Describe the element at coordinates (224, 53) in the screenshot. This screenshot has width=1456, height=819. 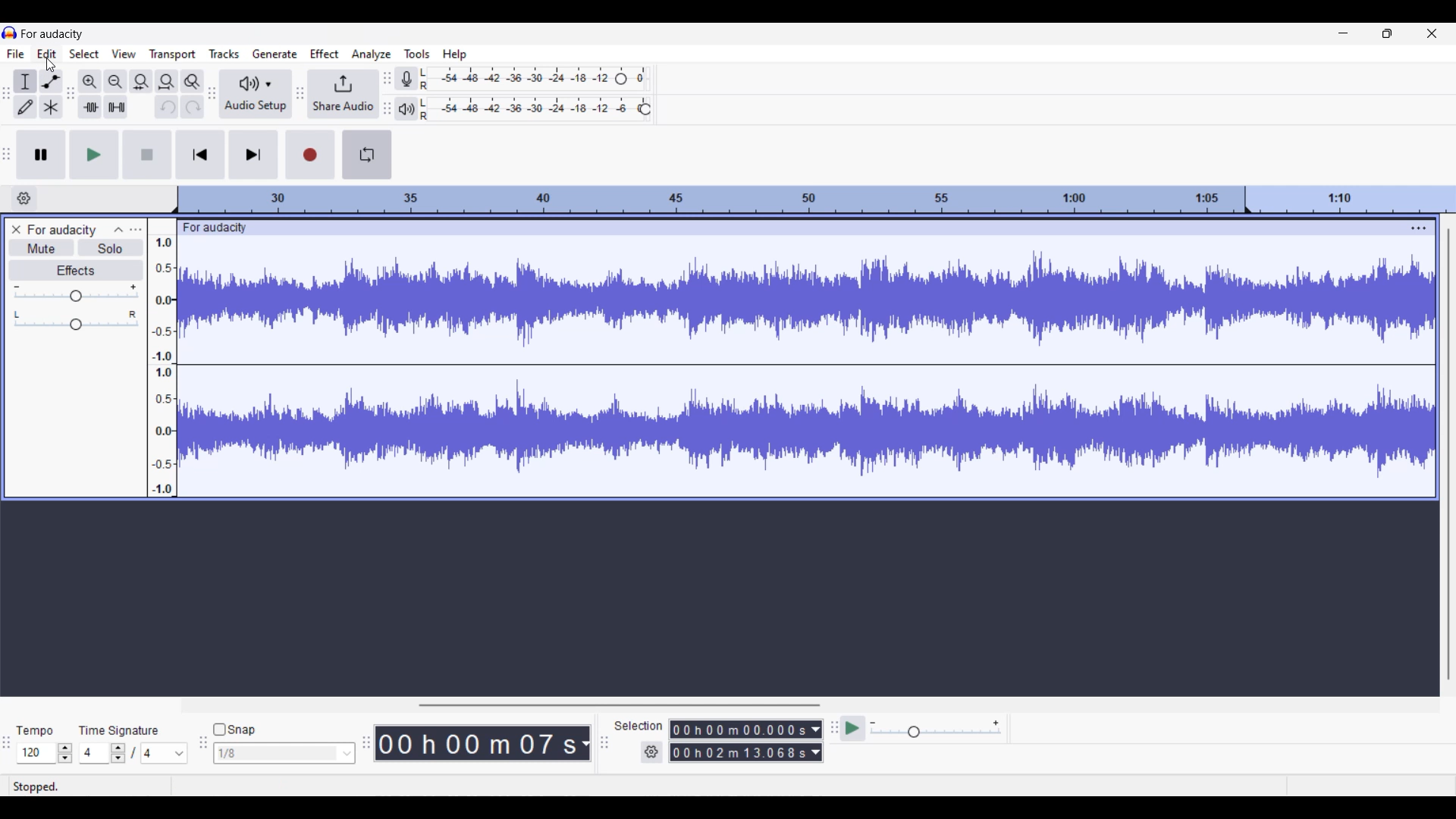
I see `Tracks menu` at that location.